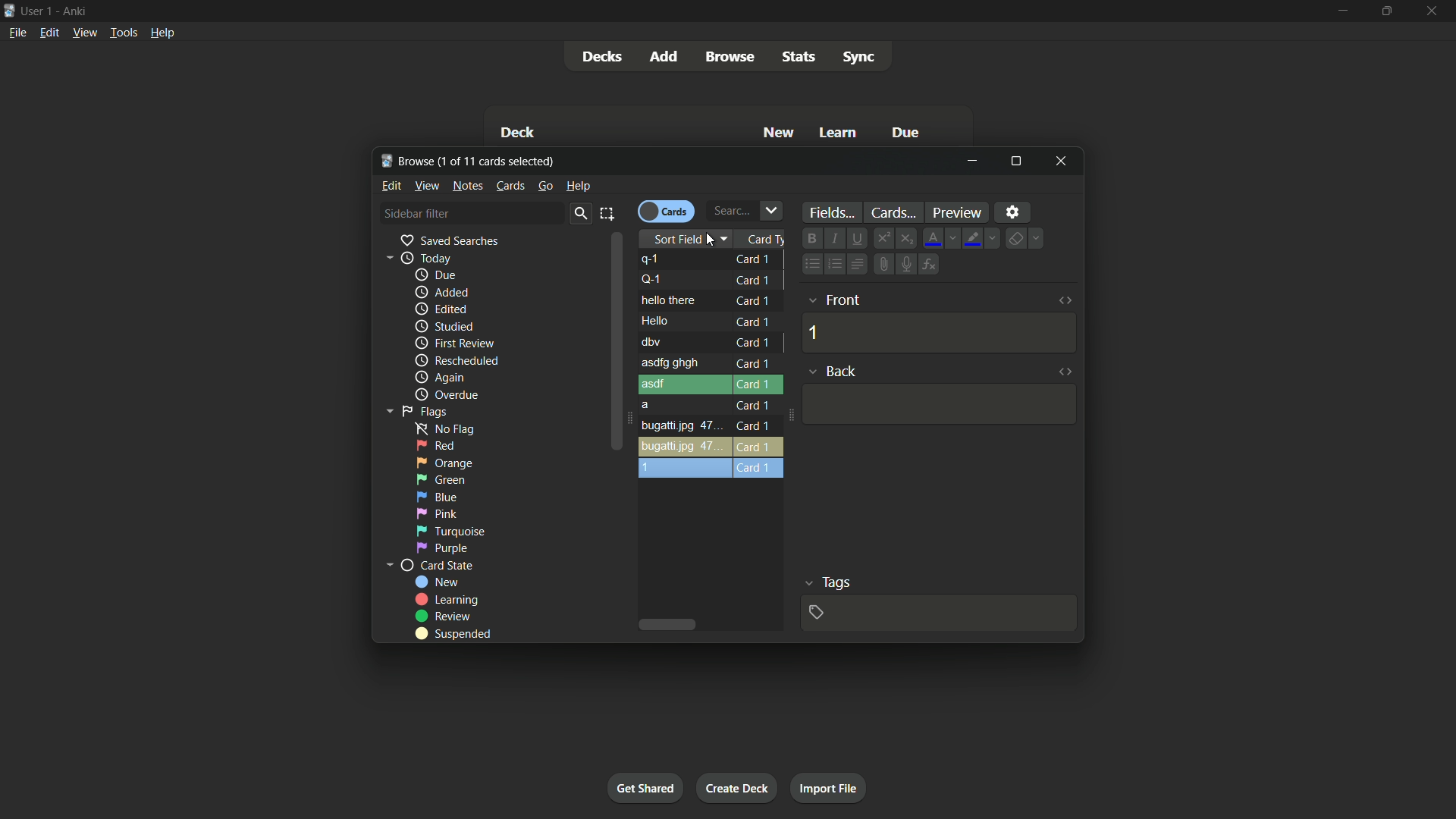 This screenshot has height=819, width=1456. What do you see at coordinates (444, 548) in the screenshot?
I see `purple` at bounding box center [444, 548].